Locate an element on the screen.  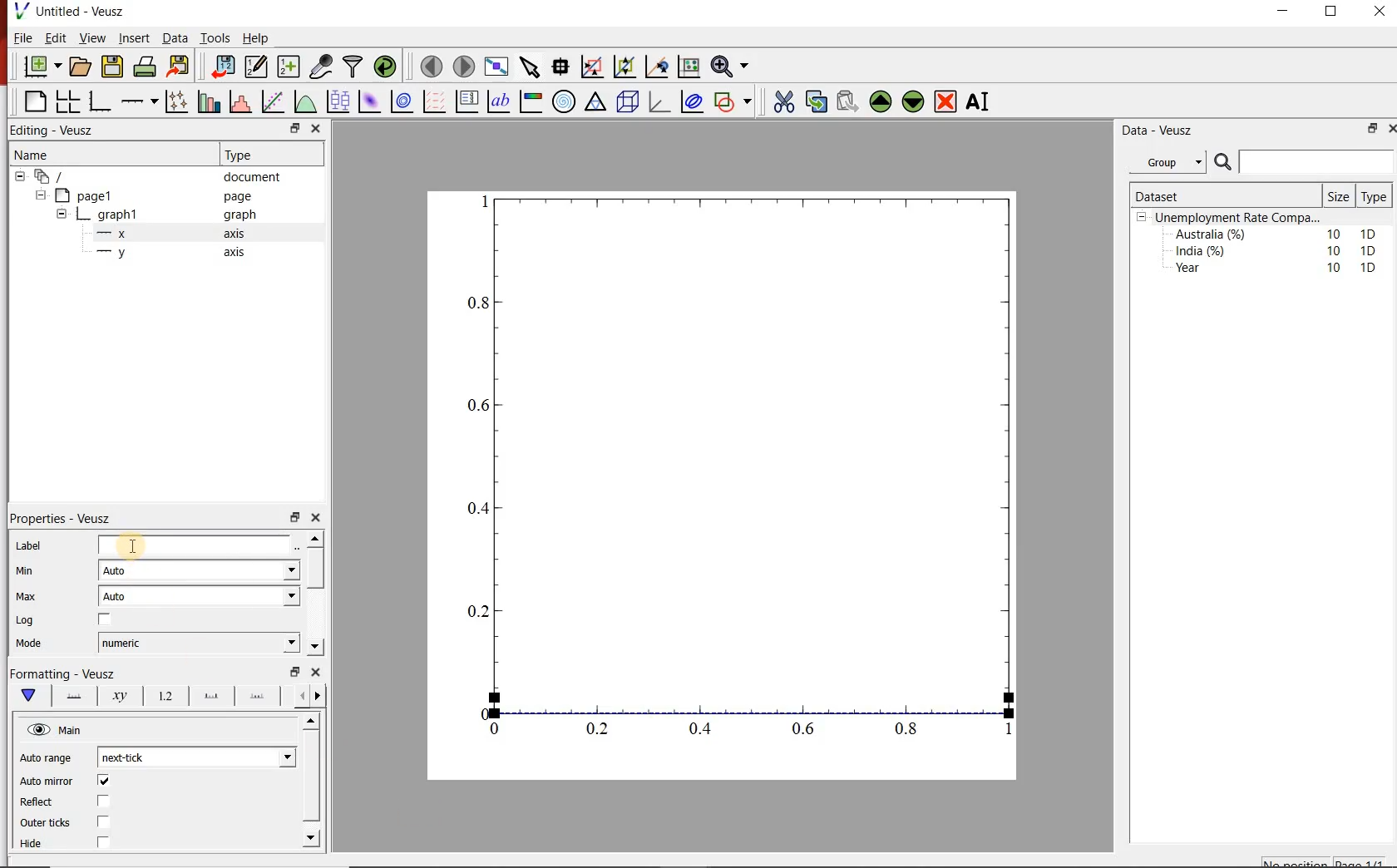
Min is located at coordinates (36, 572).